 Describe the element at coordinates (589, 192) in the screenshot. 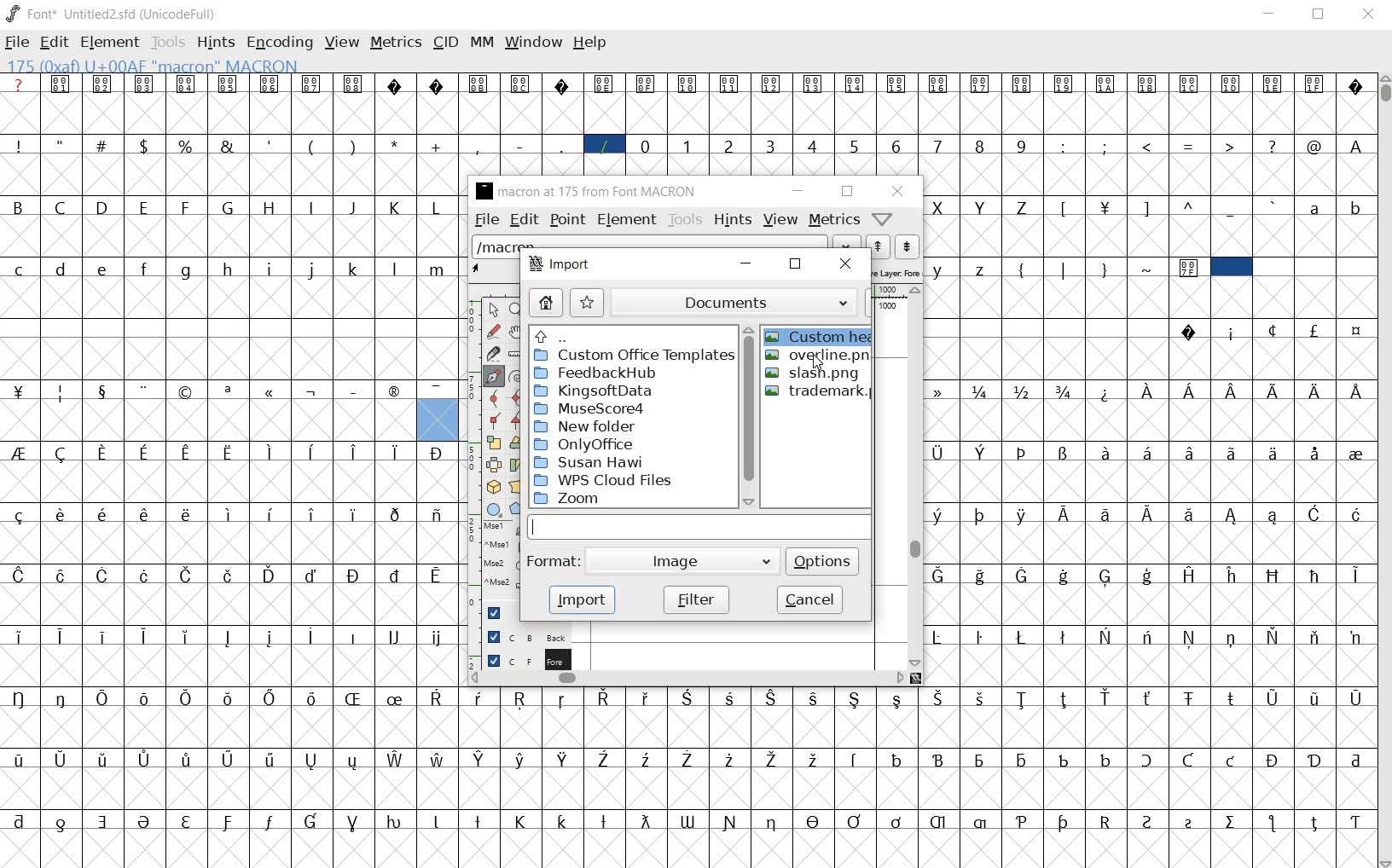

I see `glyph name` at that location.